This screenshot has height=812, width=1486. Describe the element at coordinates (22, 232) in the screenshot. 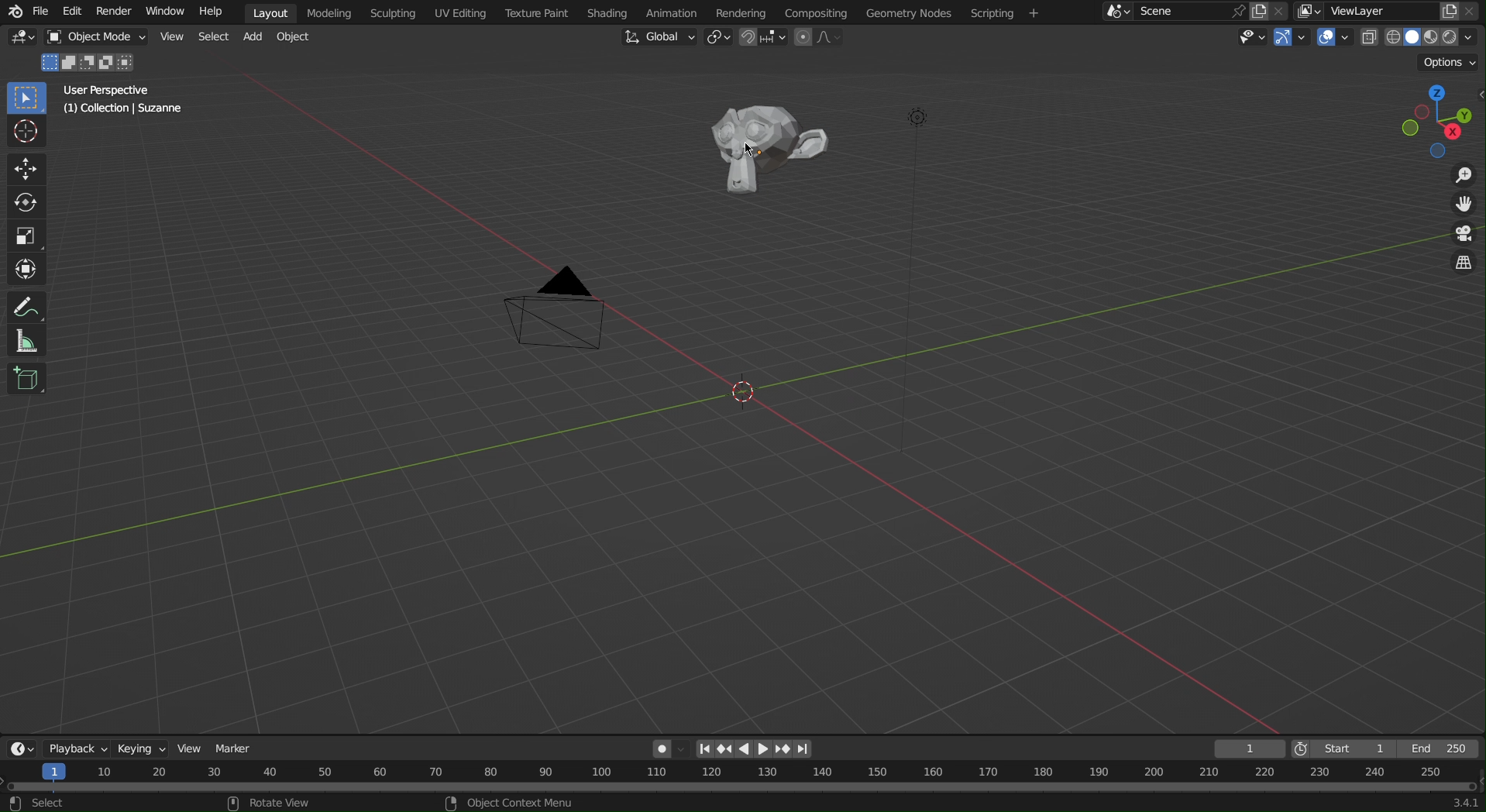

I see `Scale` at that location.